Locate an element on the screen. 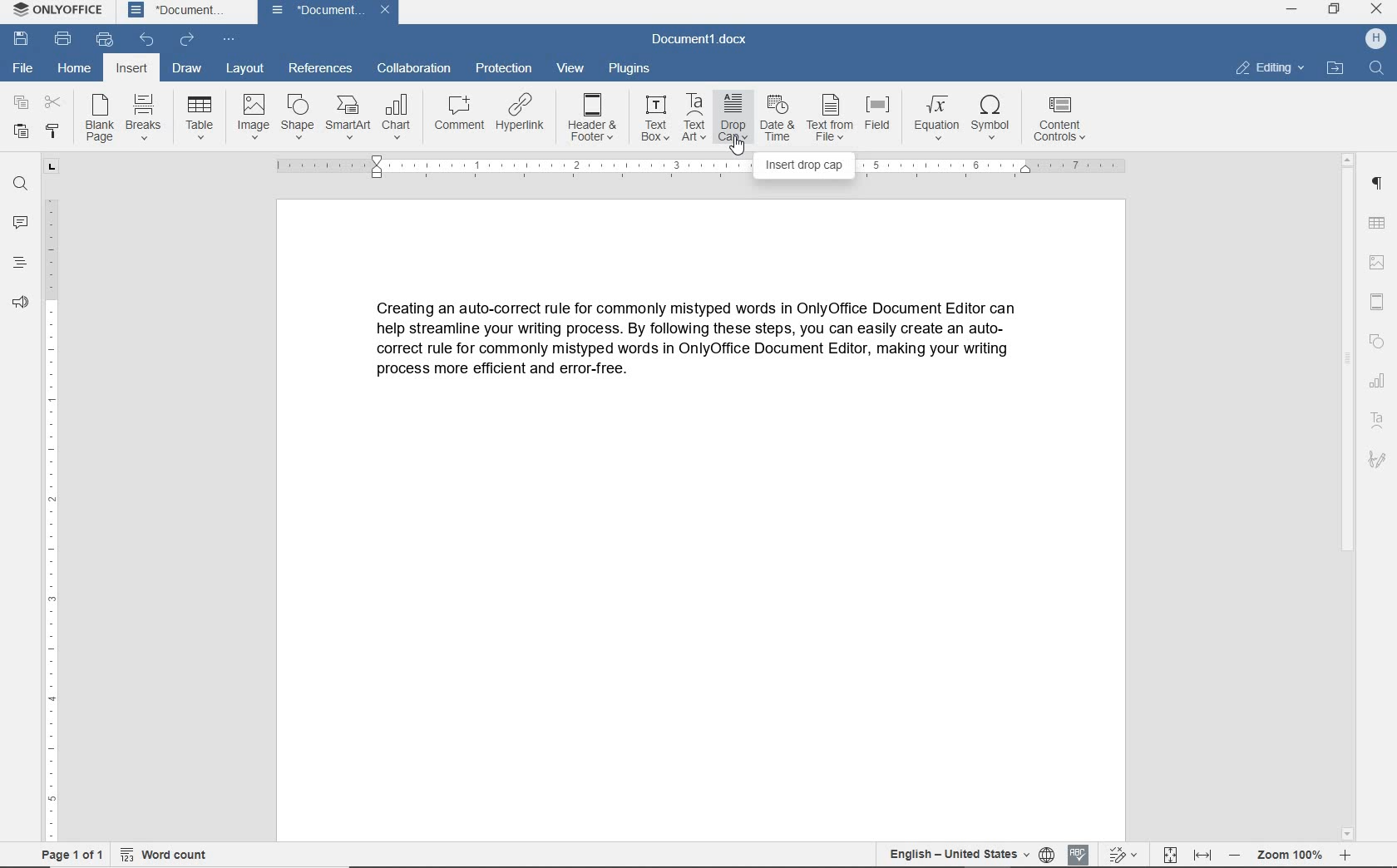 The height and width of the screenshot is (868, 1397). open file location is located at coordinates (1335, 67).